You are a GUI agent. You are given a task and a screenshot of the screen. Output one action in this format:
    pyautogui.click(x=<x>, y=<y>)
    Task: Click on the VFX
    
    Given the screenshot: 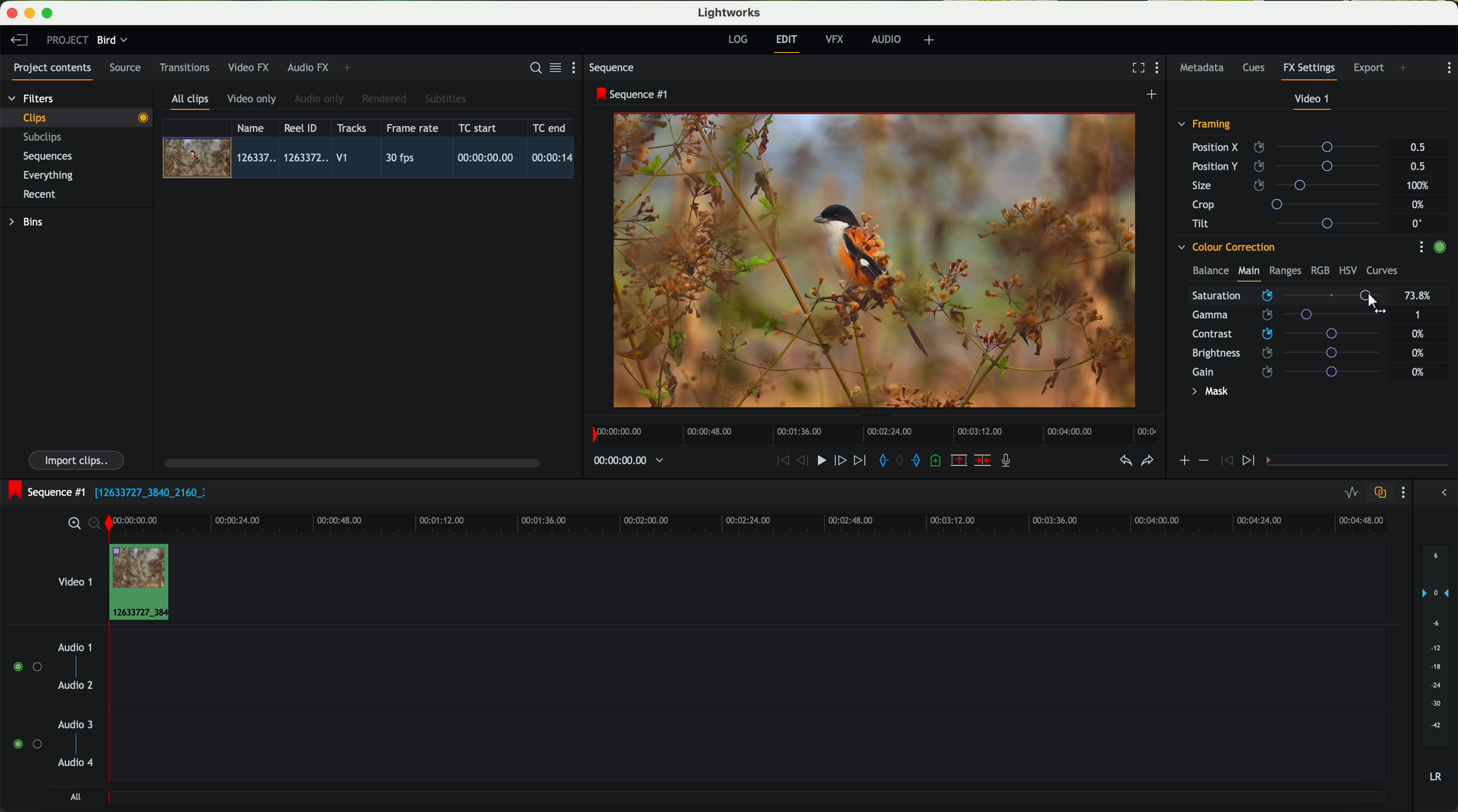 What is the action you would take?
    pyautogui.click(x=837, y=40)
    